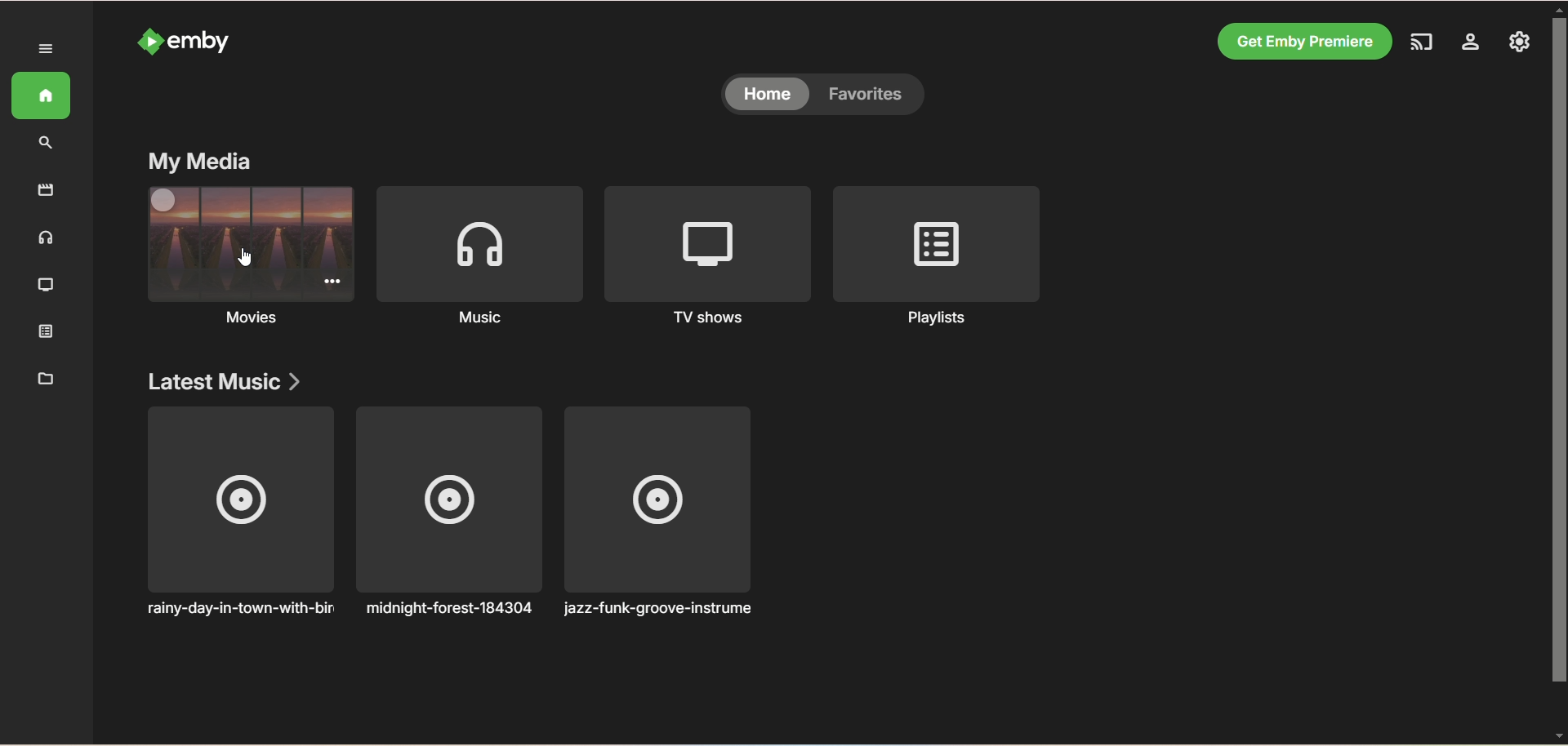  What do you see at coordinates (927, 320) in the screenshot?
I see `playlists` at bounding box center [927, 320].